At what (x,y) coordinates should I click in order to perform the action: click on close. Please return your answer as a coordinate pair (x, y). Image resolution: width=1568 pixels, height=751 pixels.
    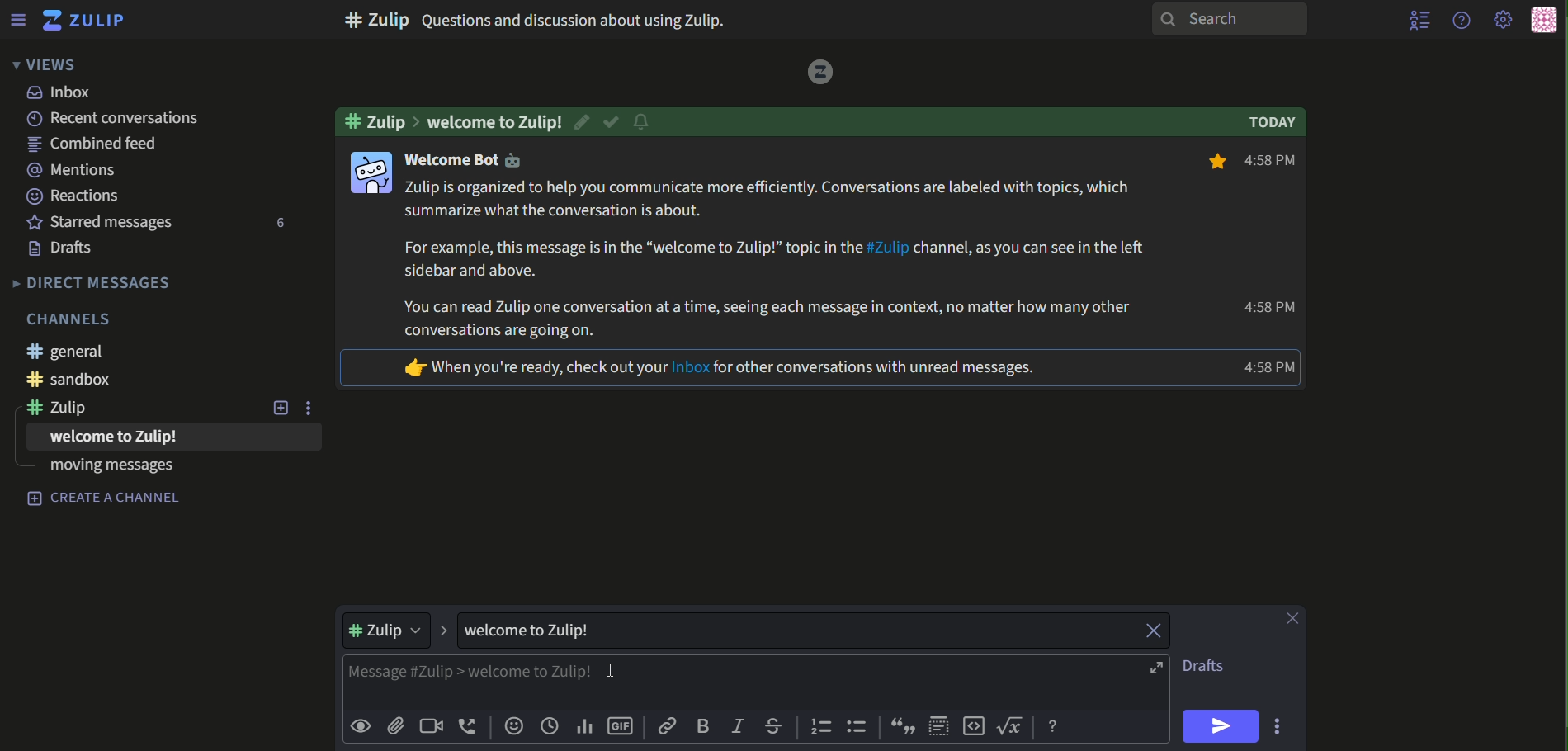
    Looking at the image, I should click on (1145, 630).